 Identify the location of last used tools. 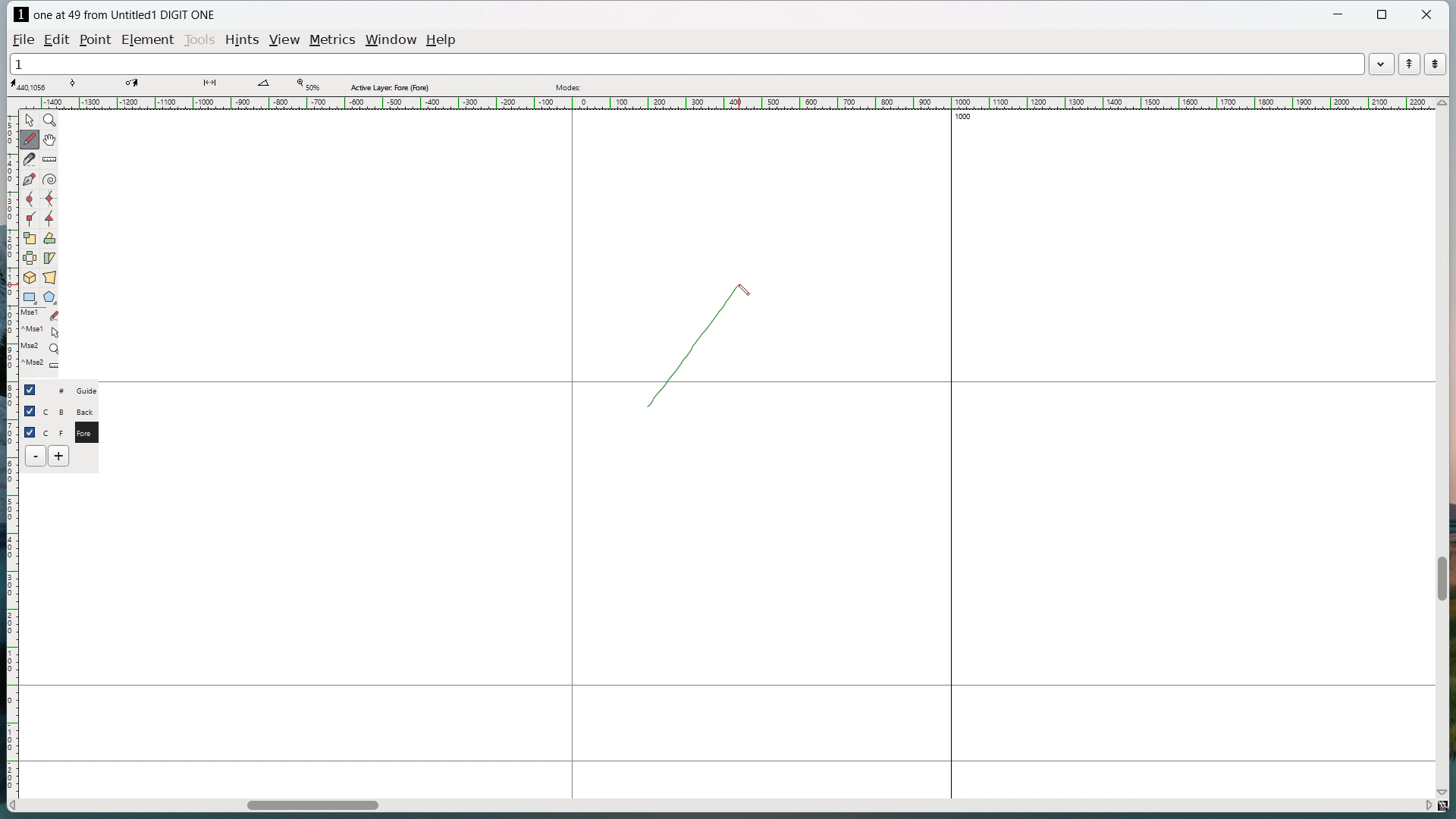
(39, 343).